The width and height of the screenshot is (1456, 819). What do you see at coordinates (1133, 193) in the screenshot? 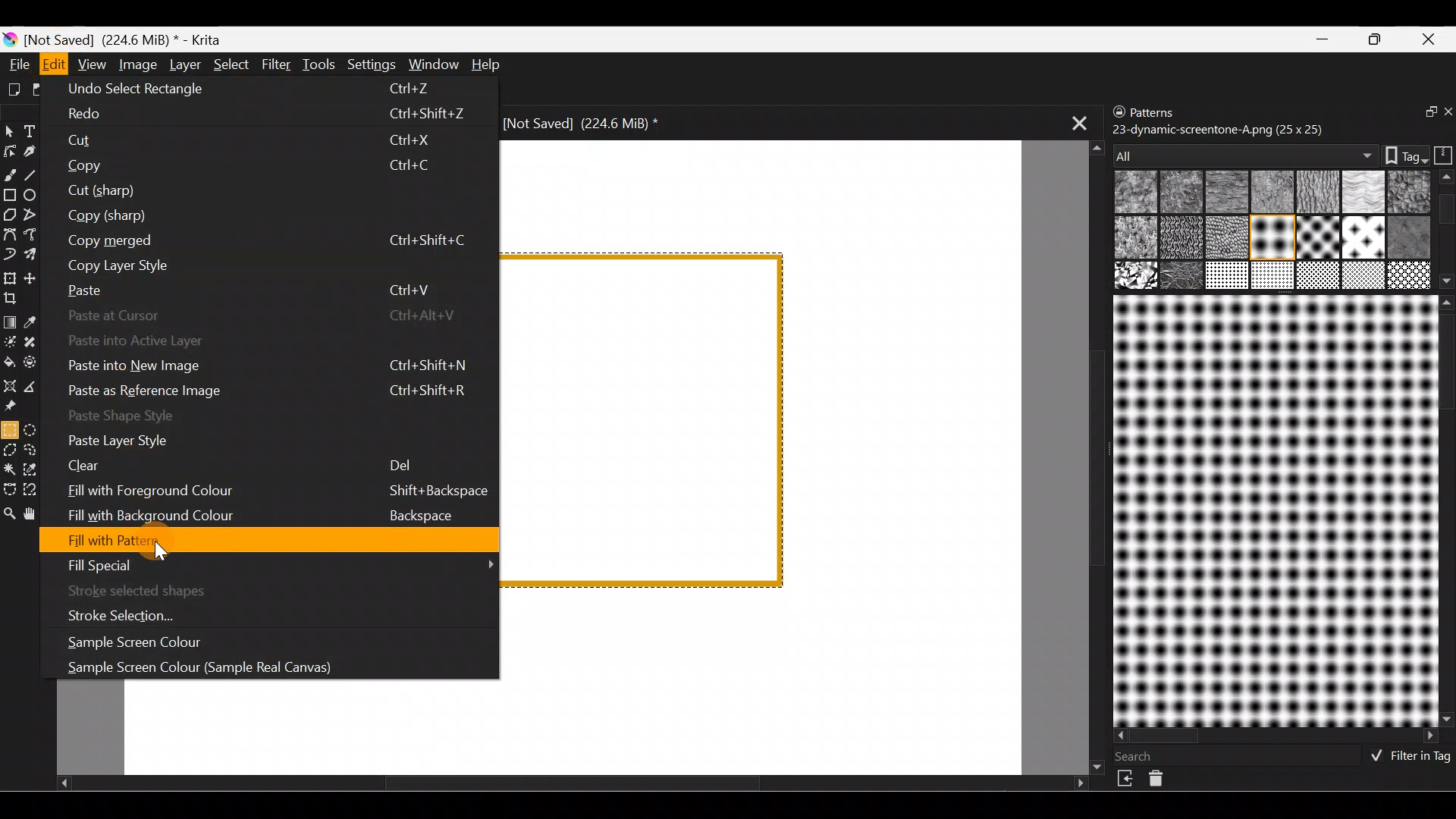
I see `01 canvas.png` at bounding box center [1133, 193].